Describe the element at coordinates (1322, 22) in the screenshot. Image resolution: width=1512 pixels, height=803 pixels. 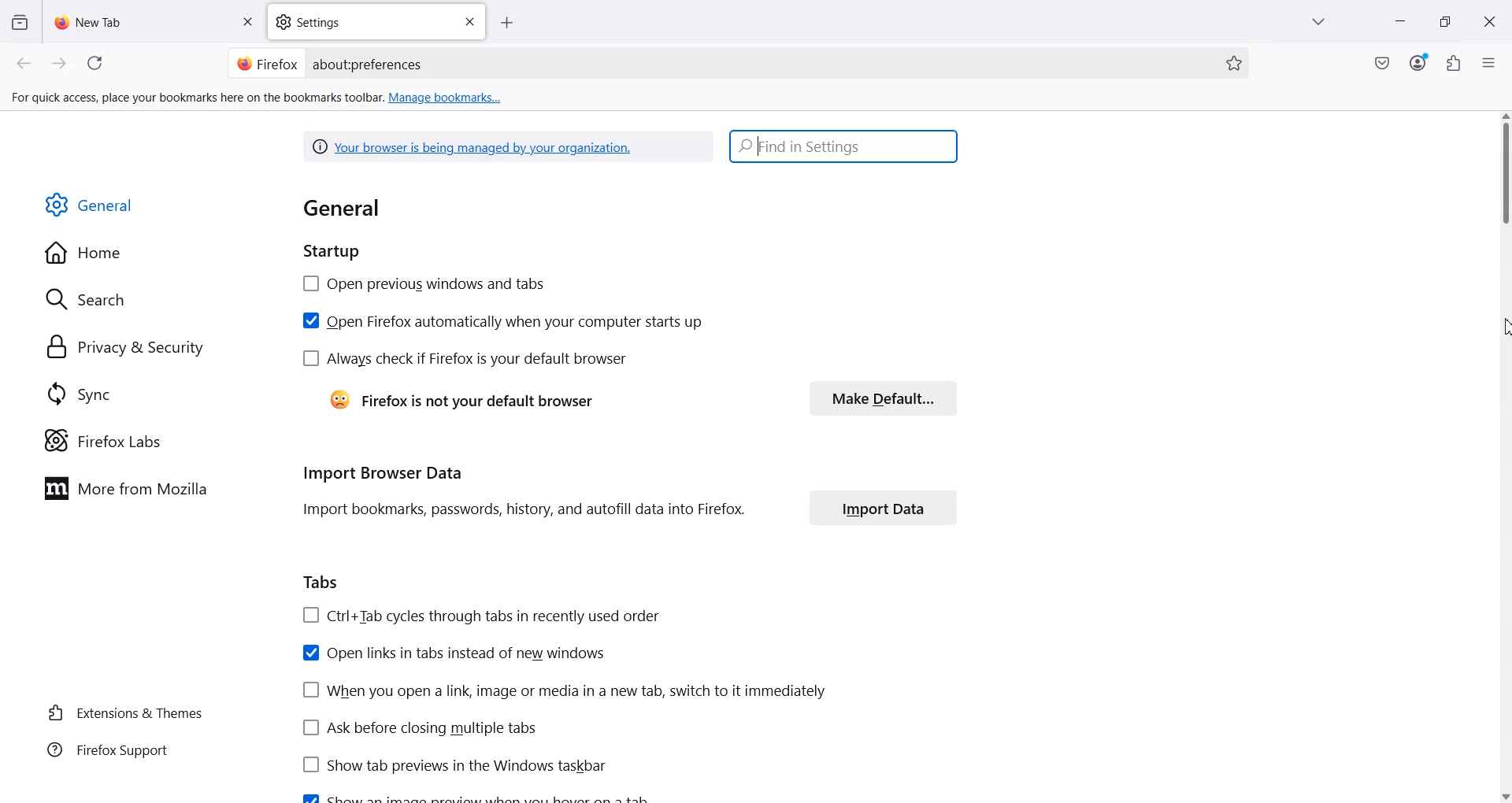
I see `DropDown Box` at that location.